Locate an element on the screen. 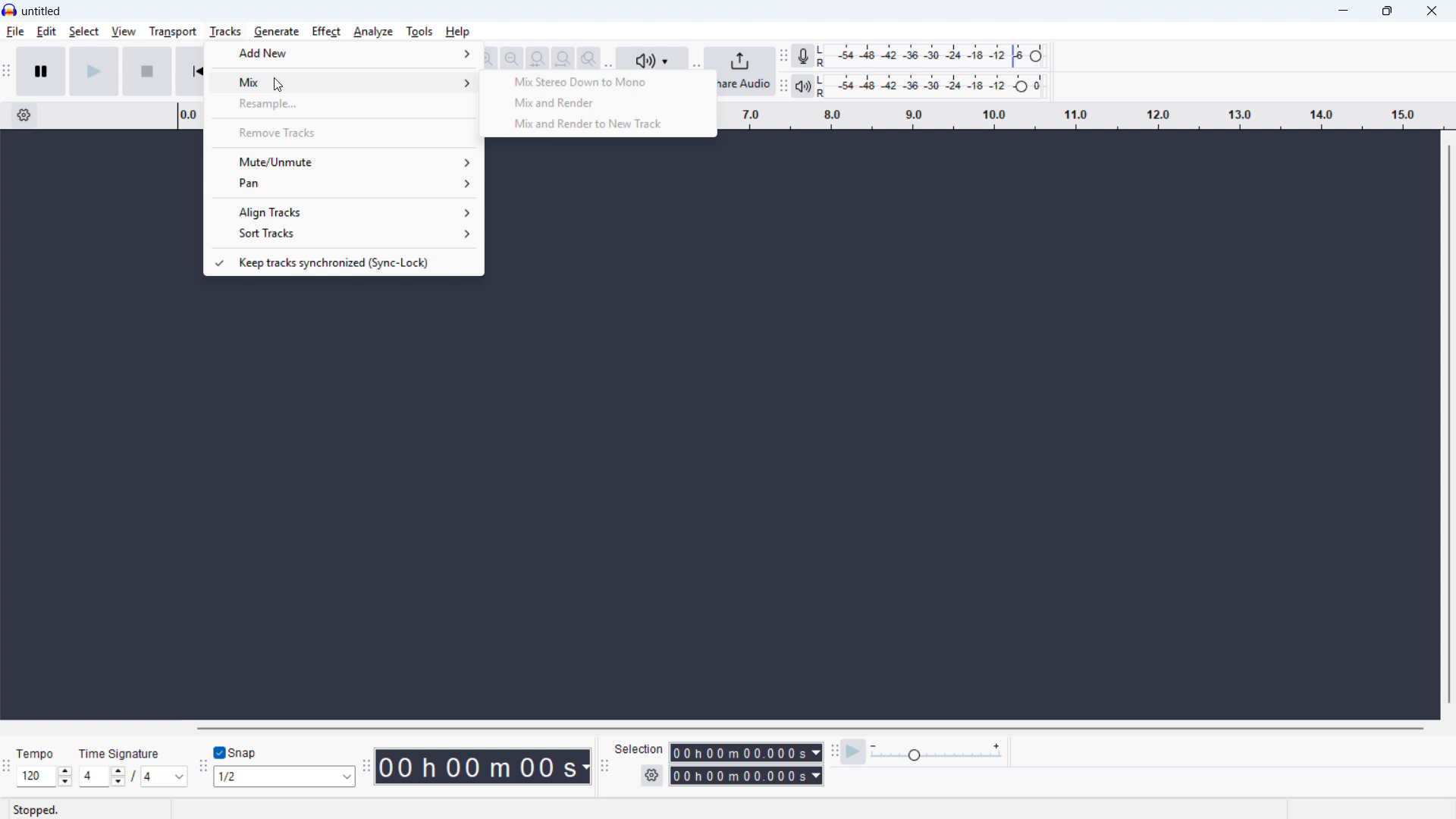 The width and height of the screenshot is (1456, 819). Timestamp  is located at coordinates (482, 766).